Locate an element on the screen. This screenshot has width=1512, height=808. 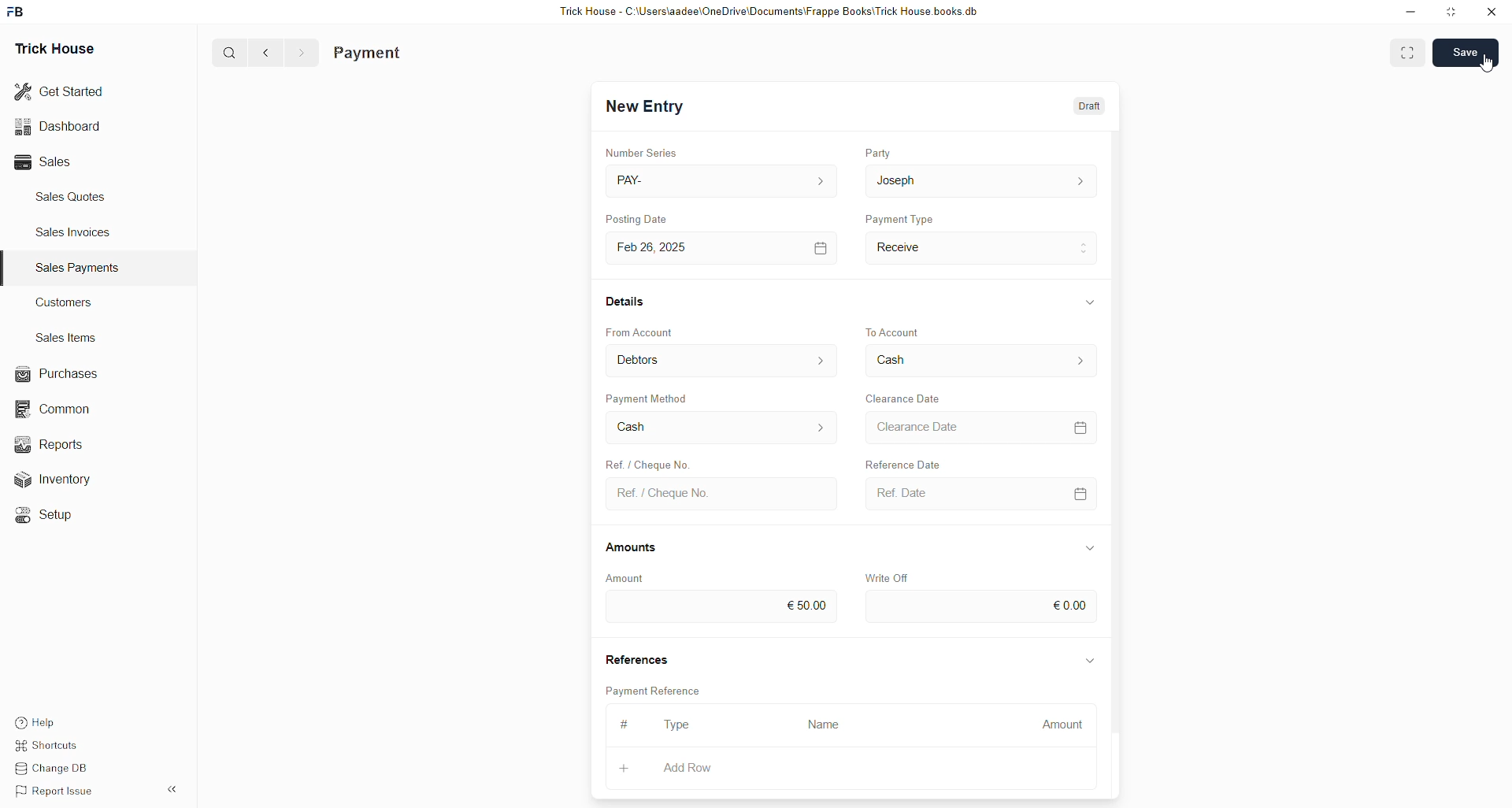
Amount is located at coordinates (1056, 726).